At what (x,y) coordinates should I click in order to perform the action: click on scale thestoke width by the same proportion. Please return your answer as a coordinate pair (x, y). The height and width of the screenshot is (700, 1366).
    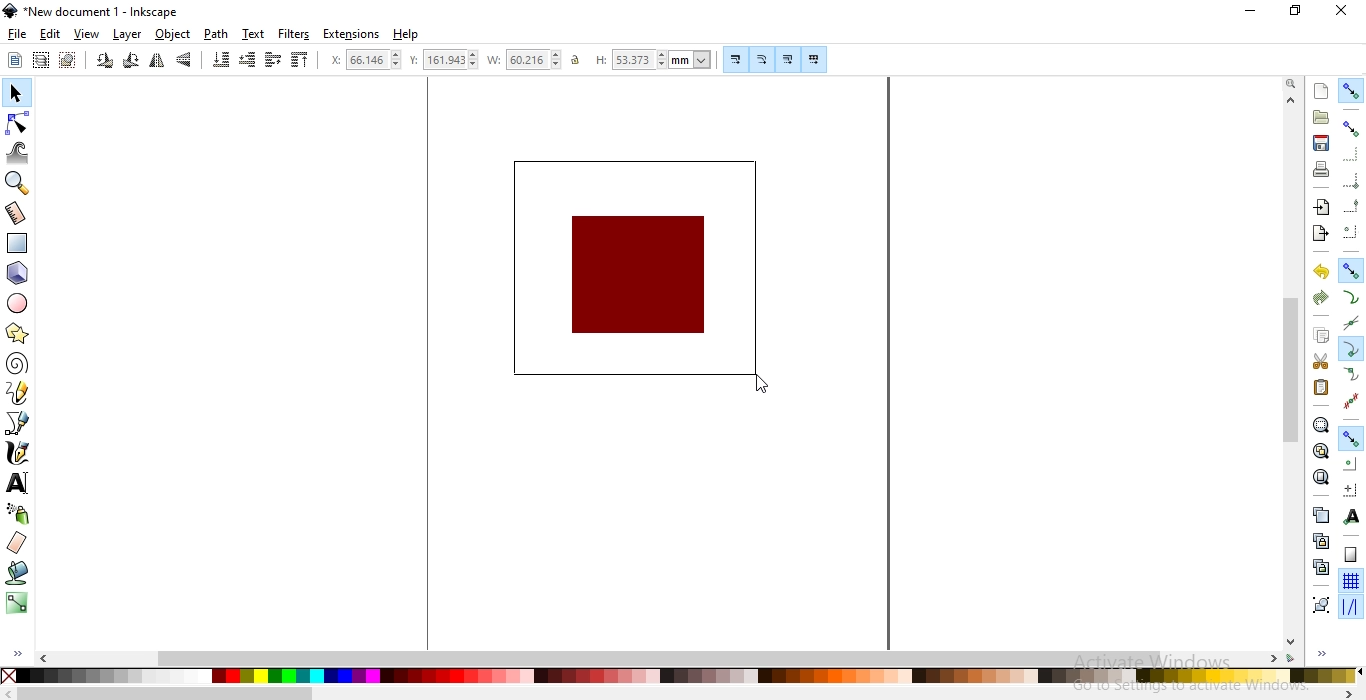
    Looking at the image, I should click on (734, 59).